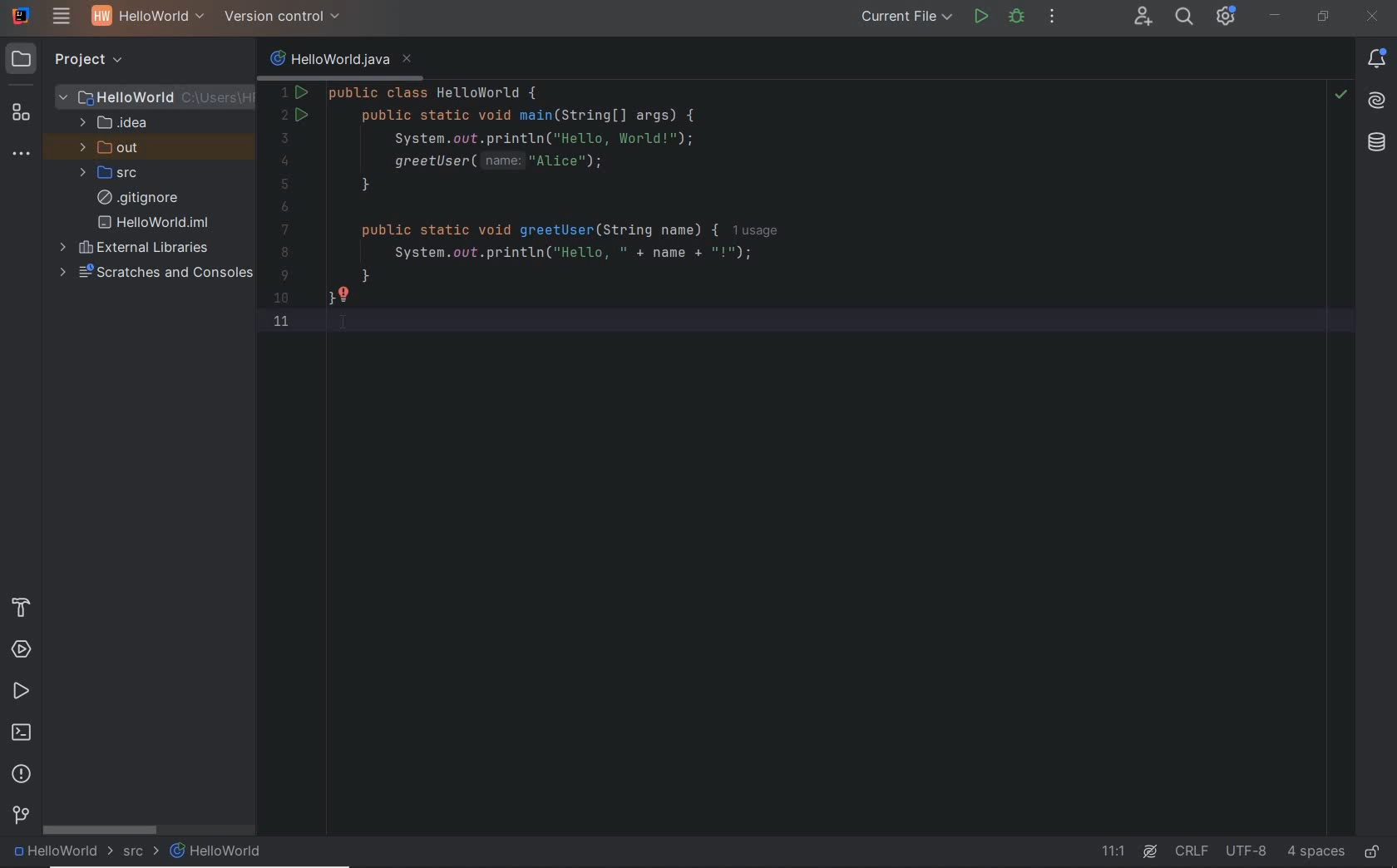 The height and width of the screenshot is (868, 1397). I want to click on terminal, so click(23, 734).